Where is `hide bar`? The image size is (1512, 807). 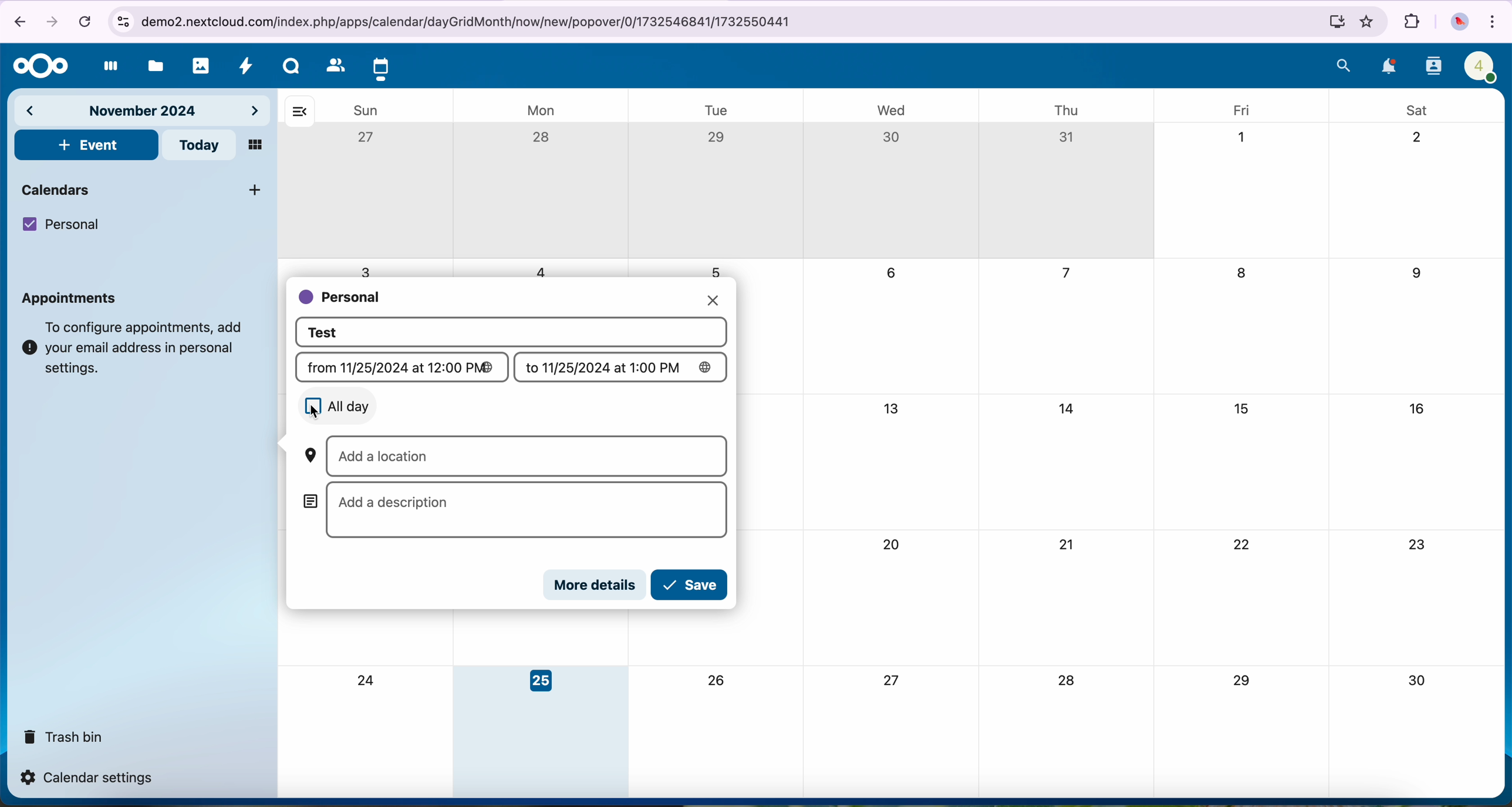
hide bar is located at coordinates (299, 112).